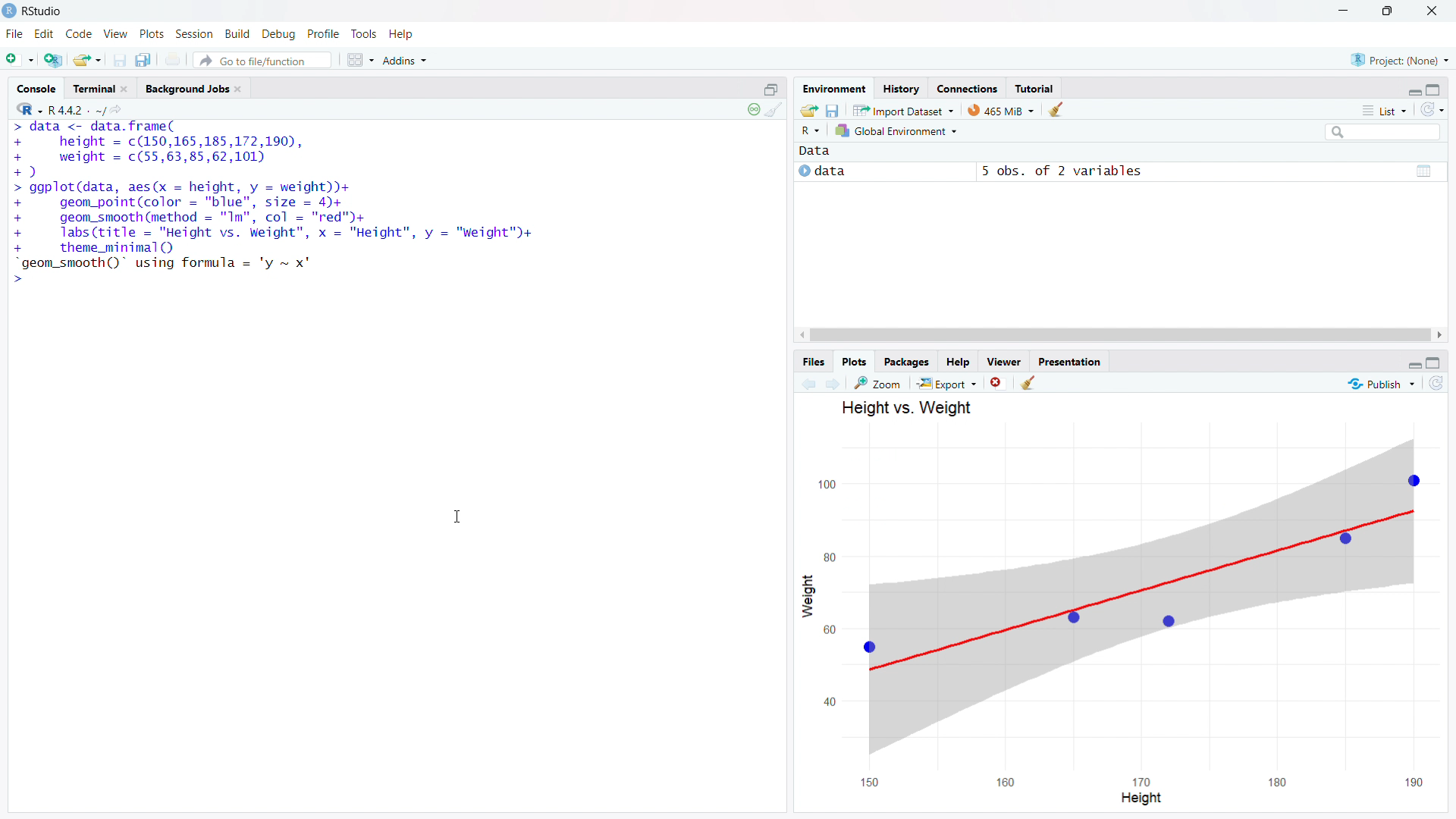 This screenshot has width=1456, height=819. Describe the element at coordinates (43, 11) in the screenshot. I see `rstudio` at that location.